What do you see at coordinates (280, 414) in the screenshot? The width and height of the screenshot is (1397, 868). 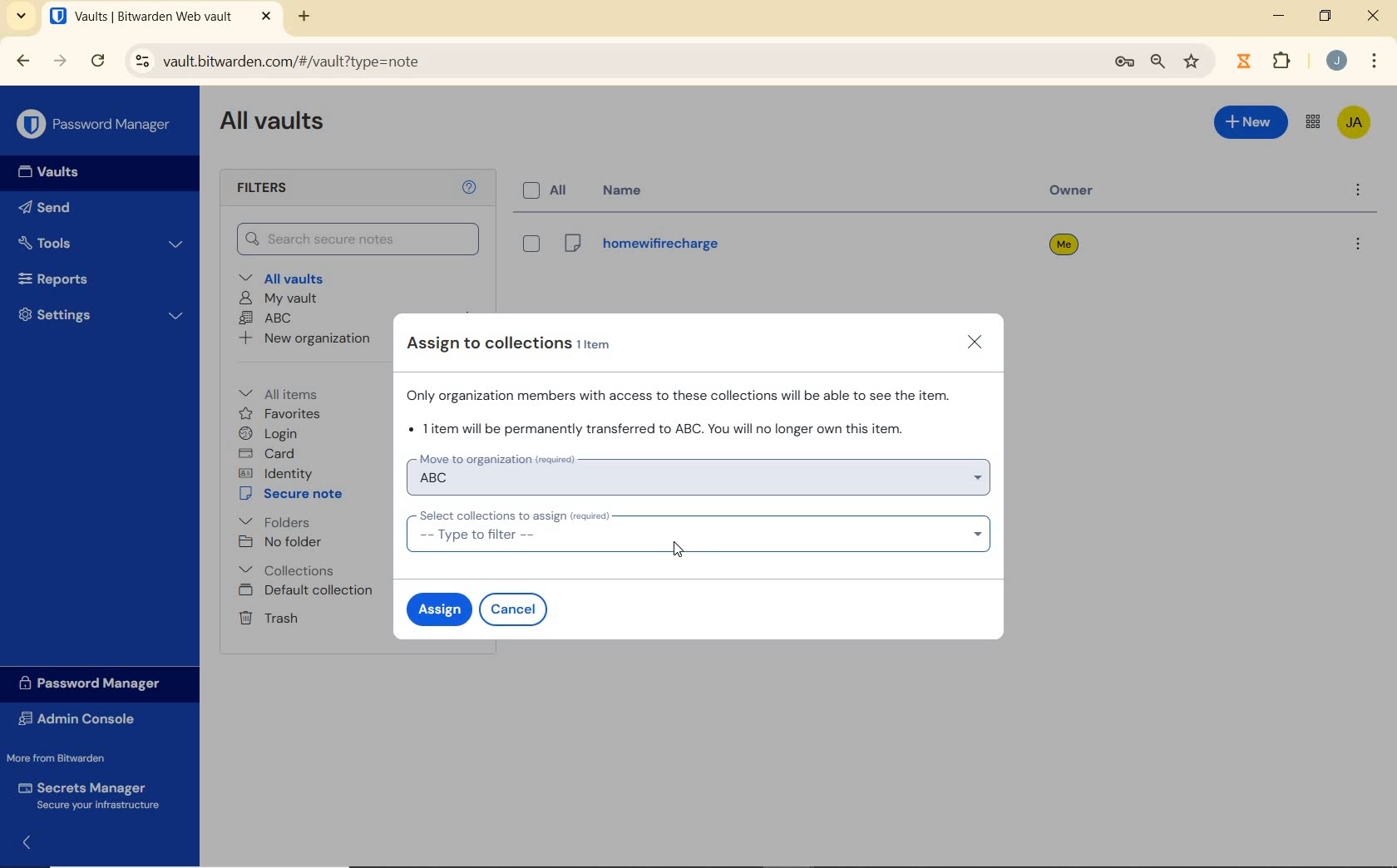 I see `favorites` at bounding box center [280, 414].